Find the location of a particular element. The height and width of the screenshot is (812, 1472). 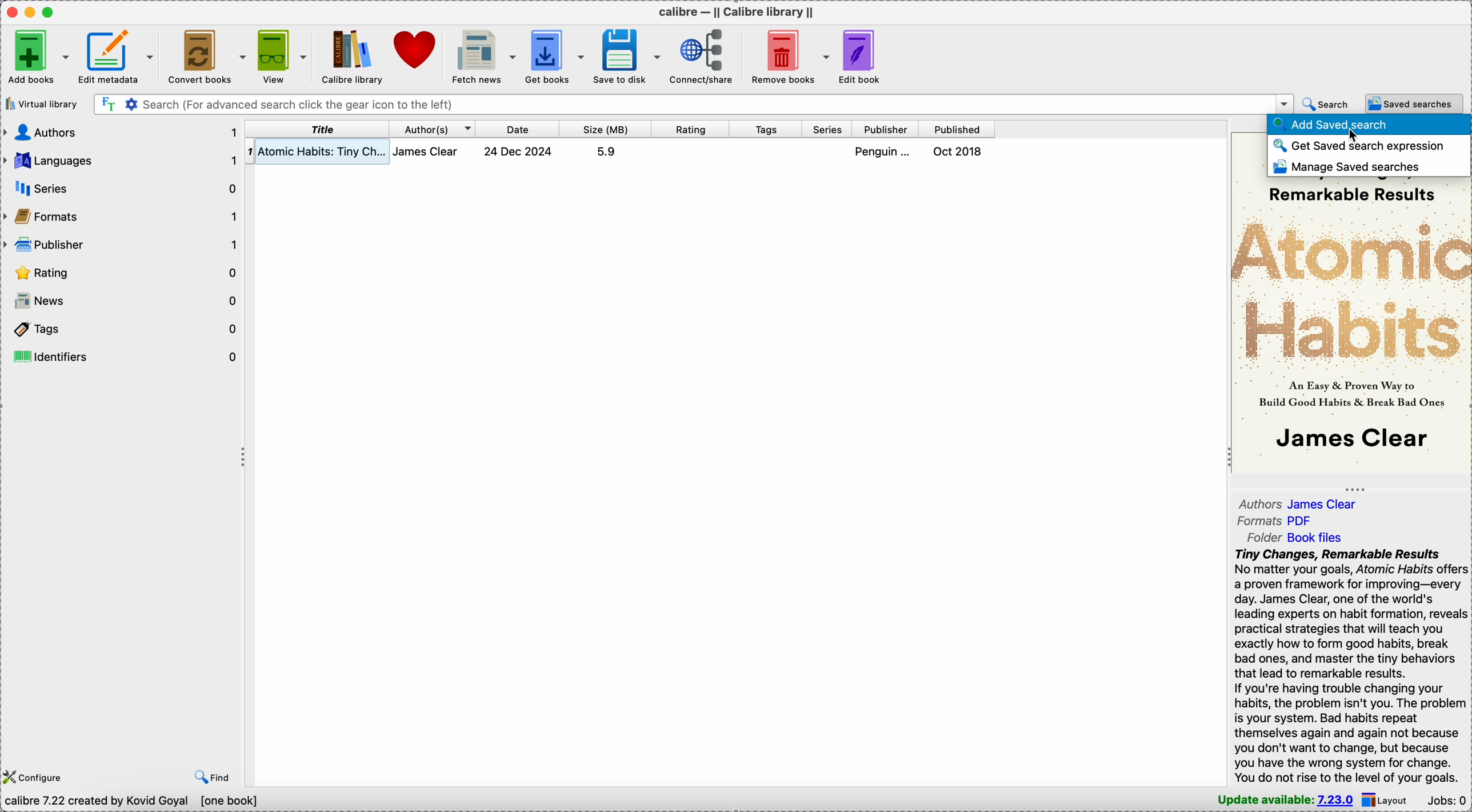

published is located at coordinates (957, 129).